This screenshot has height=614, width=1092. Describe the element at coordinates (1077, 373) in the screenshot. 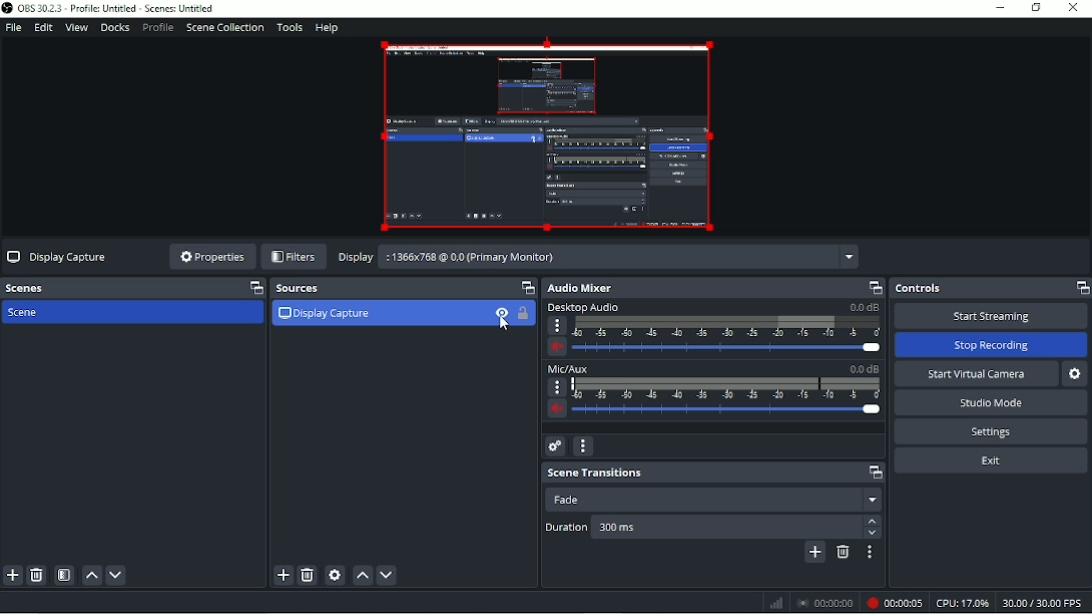

I see `Configure virtual camera` at that location.